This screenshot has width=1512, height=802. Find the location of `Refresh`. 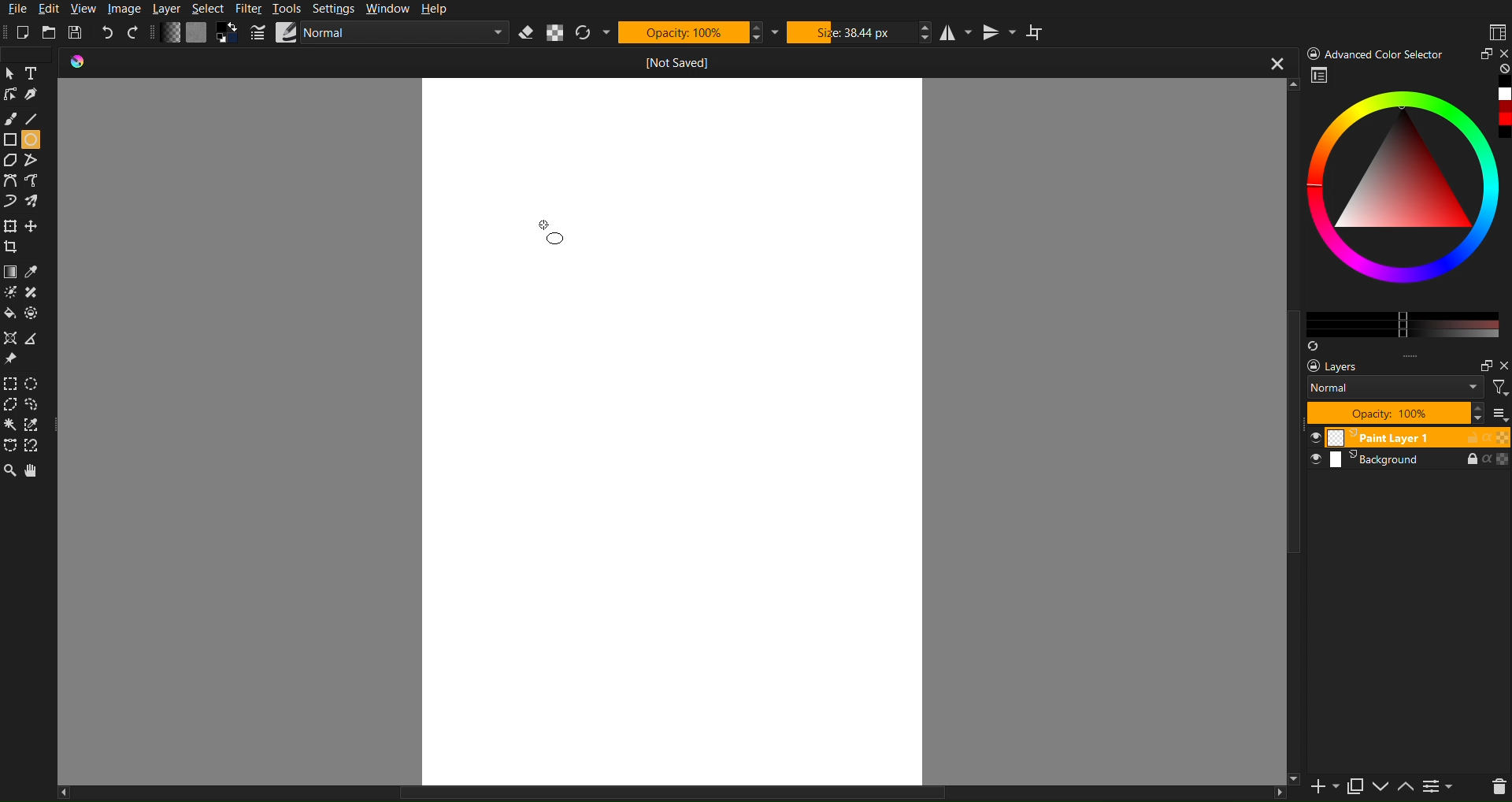

Refresh is located at coordinates (584, 32).